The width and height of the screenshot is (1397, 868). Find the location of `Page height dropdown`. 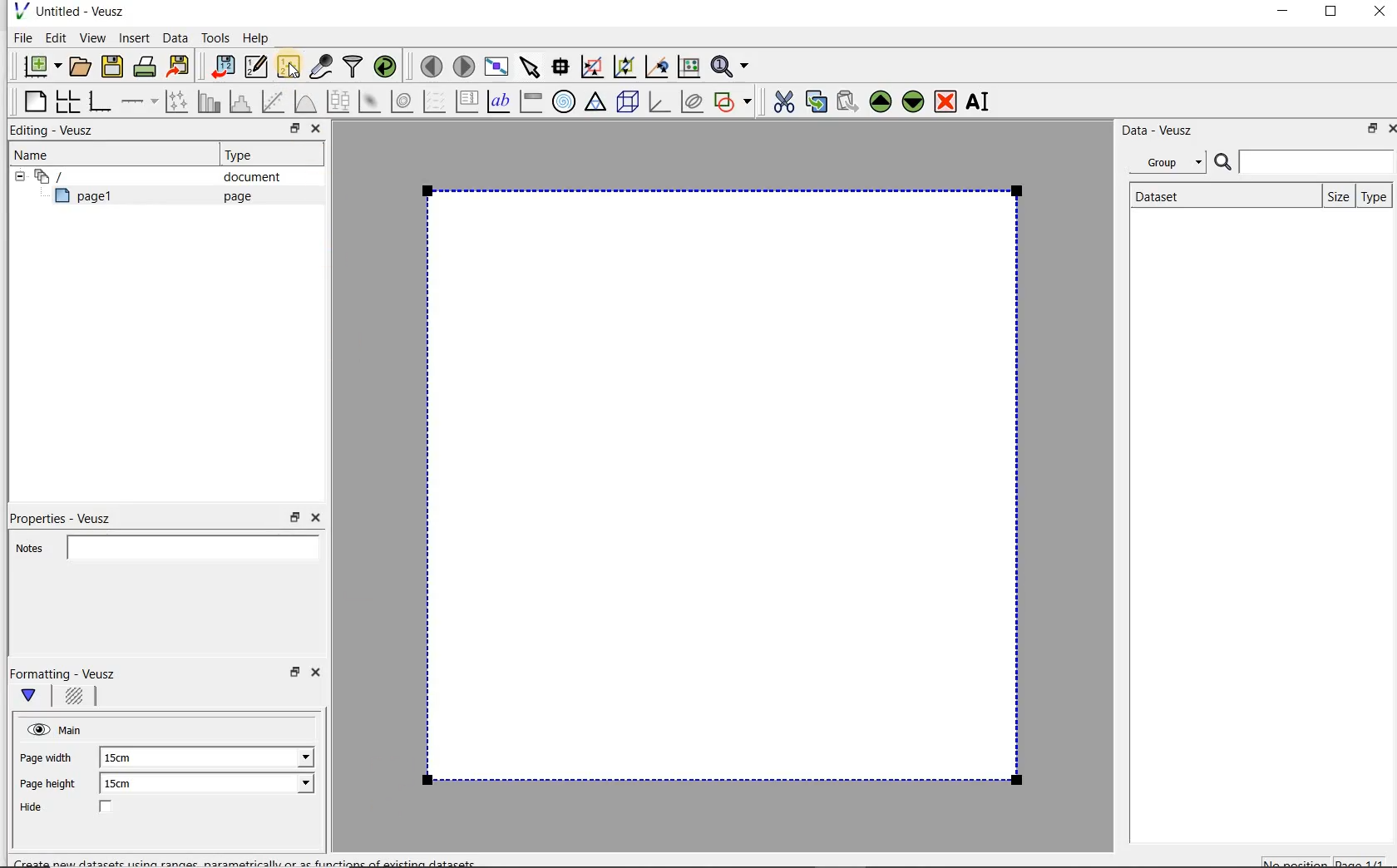

Page height dropdown is located at coordinates (294, 785).